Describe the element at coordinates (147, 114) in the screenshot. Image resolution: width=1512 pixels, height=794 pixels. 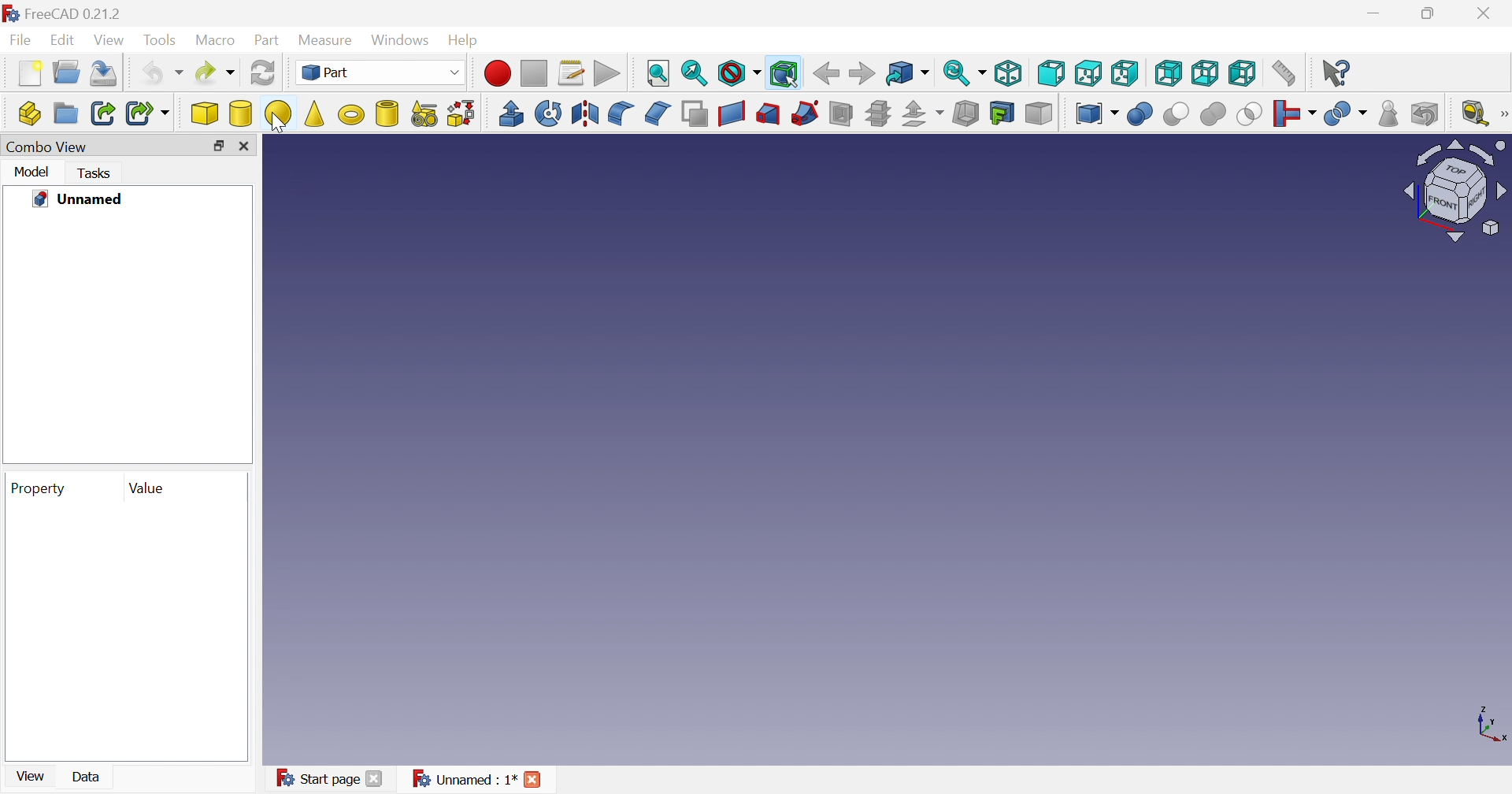
I see `Create sub-link` at that location.